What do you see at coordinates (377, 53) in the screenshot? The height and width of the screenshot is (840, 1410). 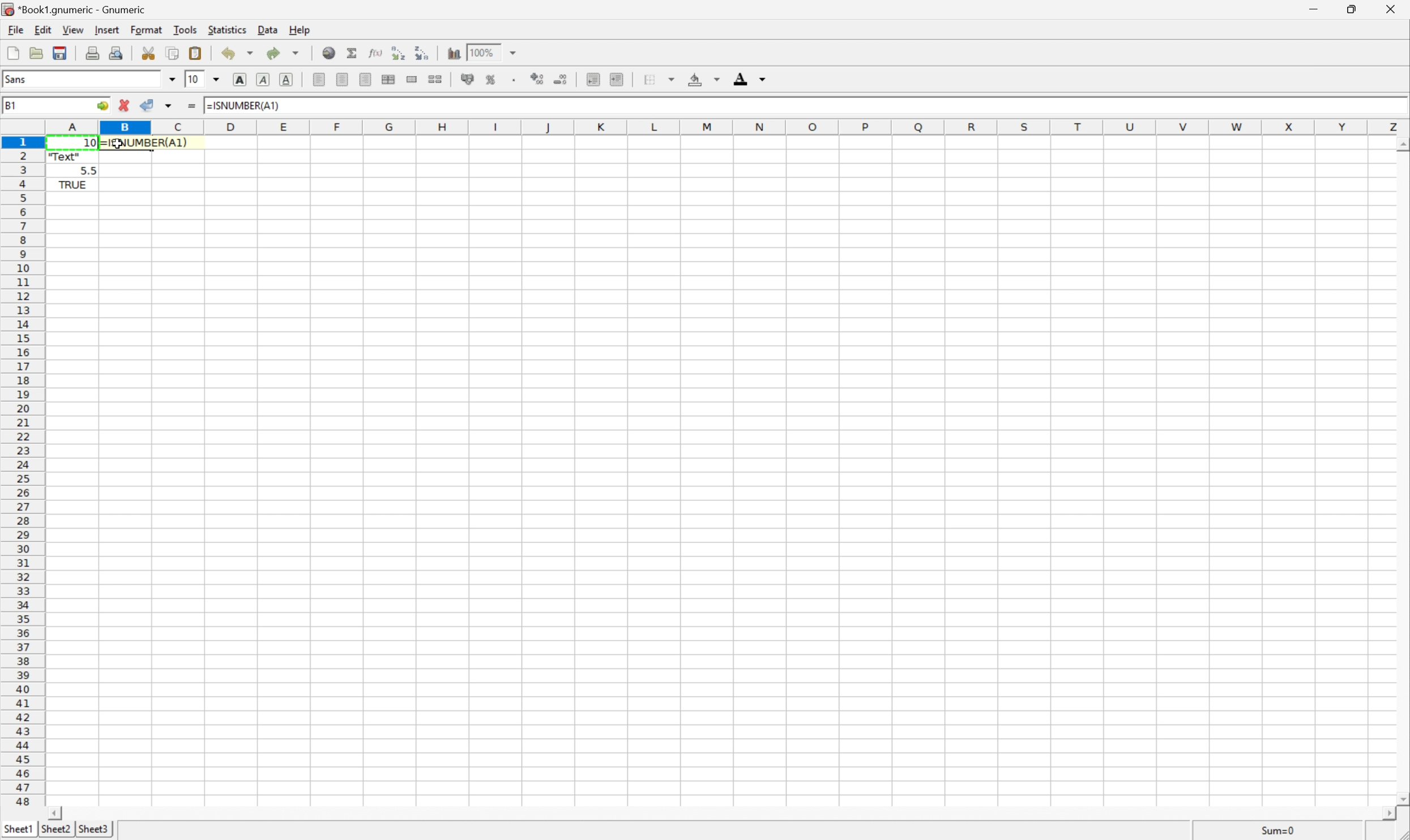 I see `Edit function in current cell` at bounding box center [377, 53].